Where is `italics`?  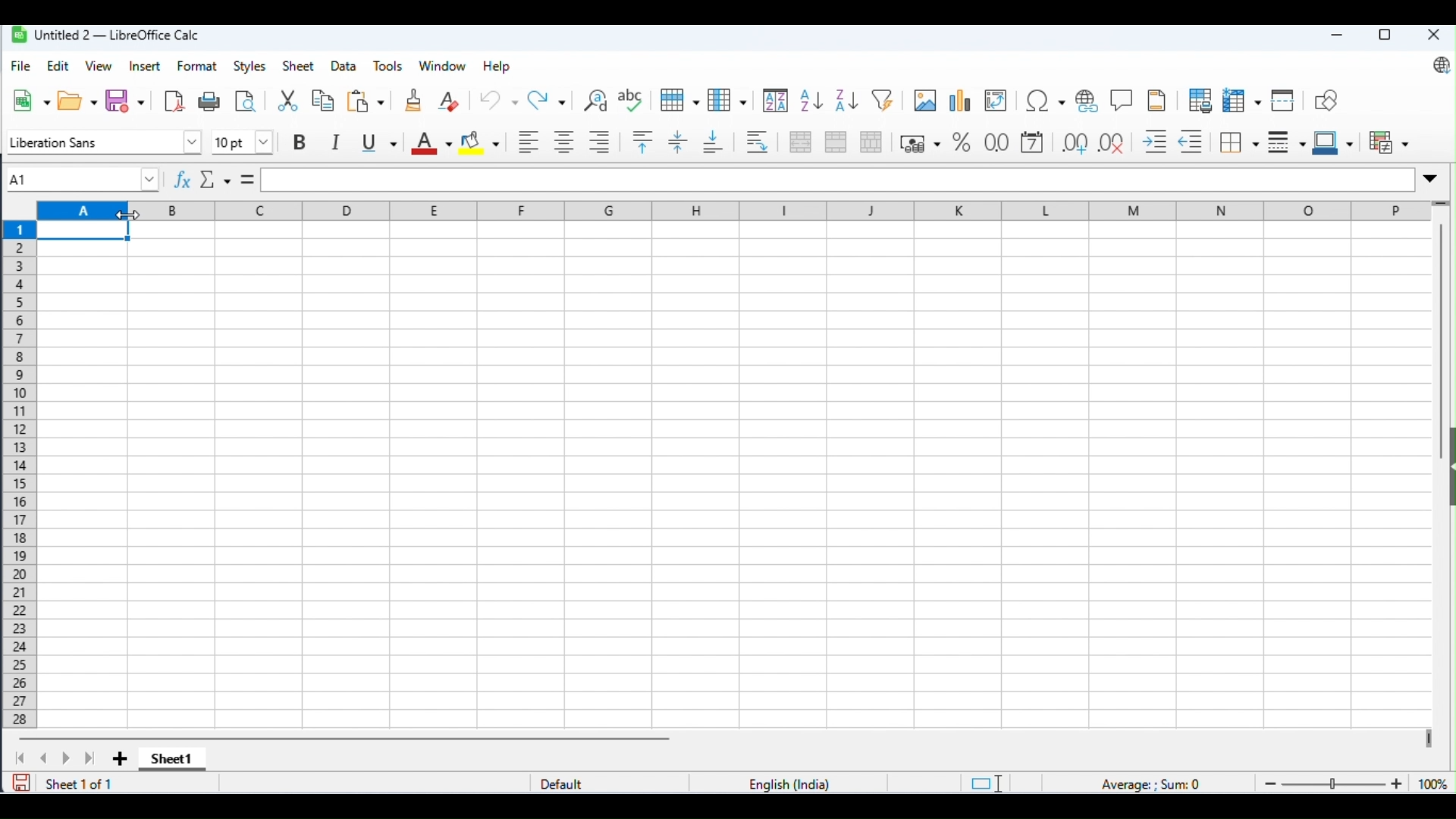 italics is located at coordinates (336, 141).